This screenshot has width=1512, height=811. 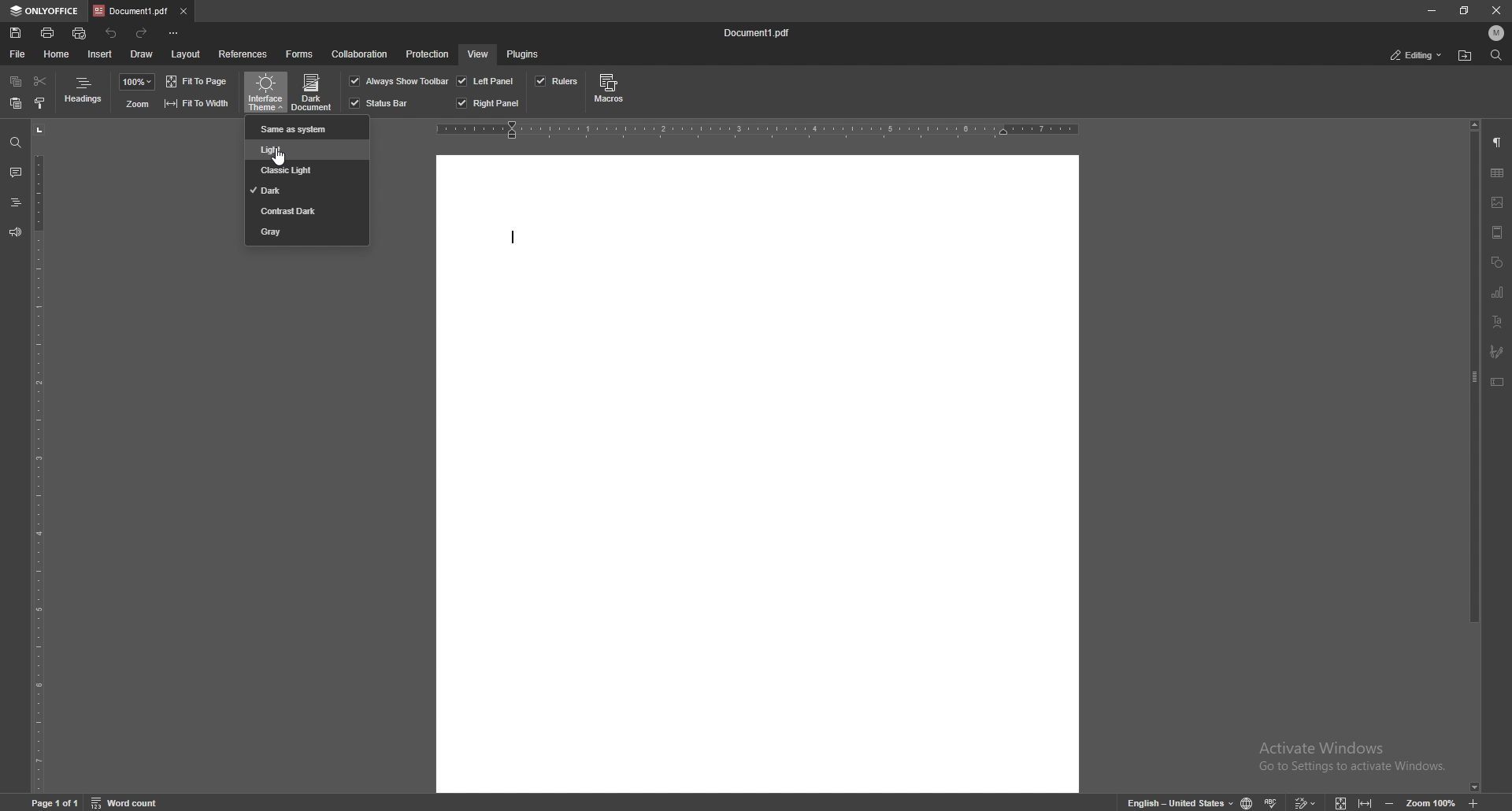 What do you see at coordinates (183, 13) in the screenshot?
I see `close tab` at bounding box center [183, 13].